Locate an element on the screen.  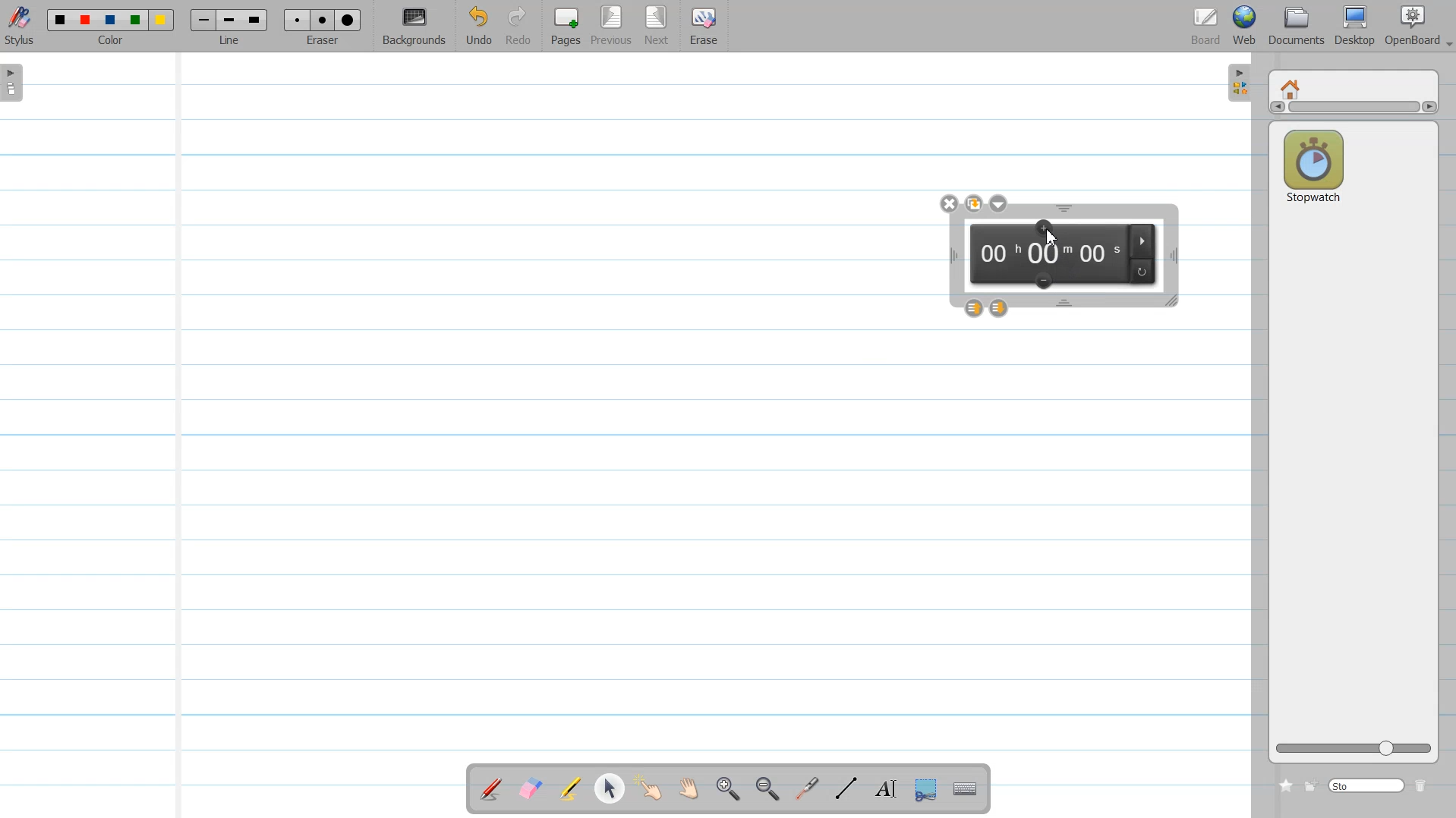
Time window Hight adjustment window  is located at coordinates (1064, 207).